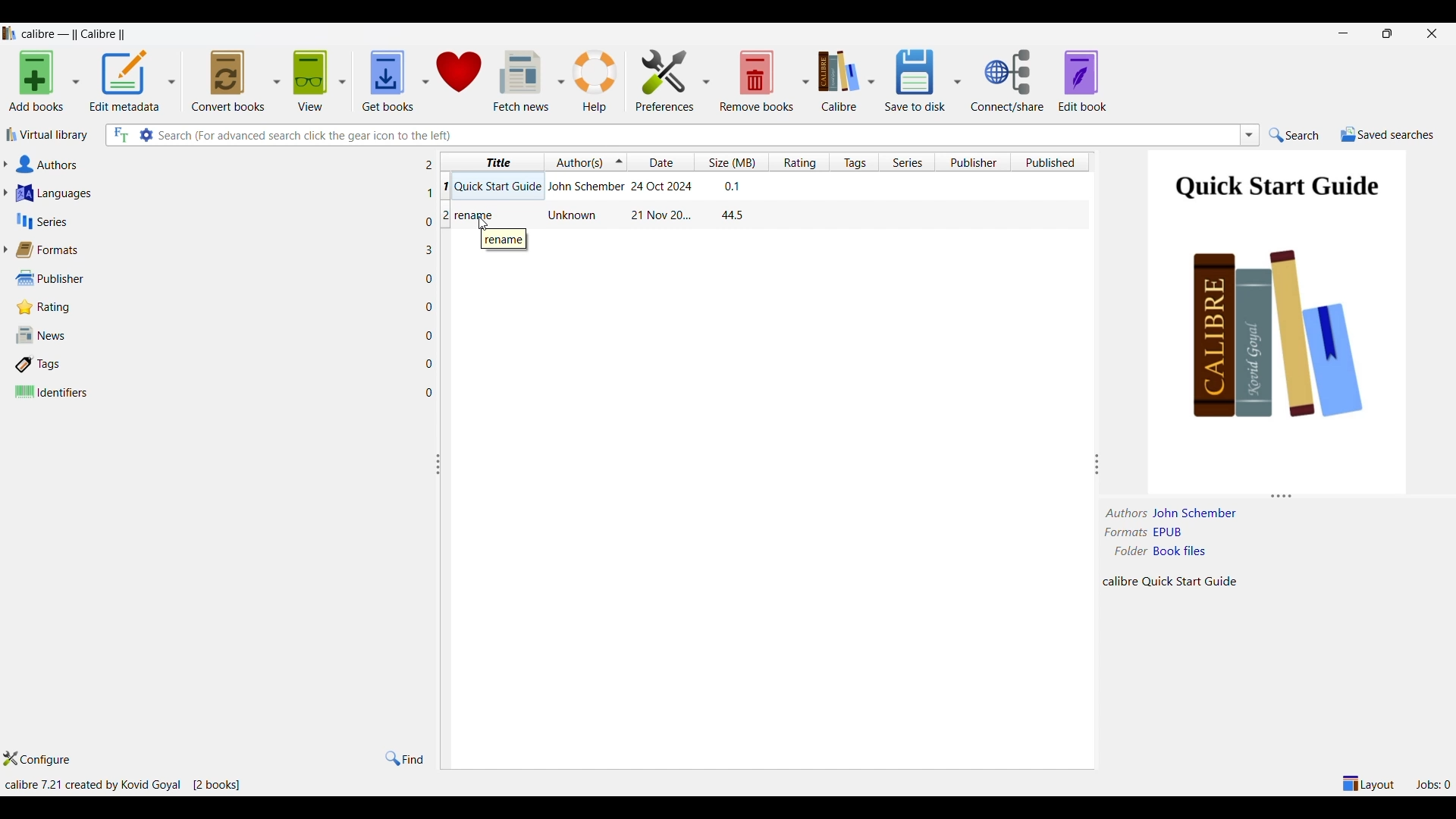  Describe the element at coordinates (405, 760) in the screenshot. I see `Find` at that location.